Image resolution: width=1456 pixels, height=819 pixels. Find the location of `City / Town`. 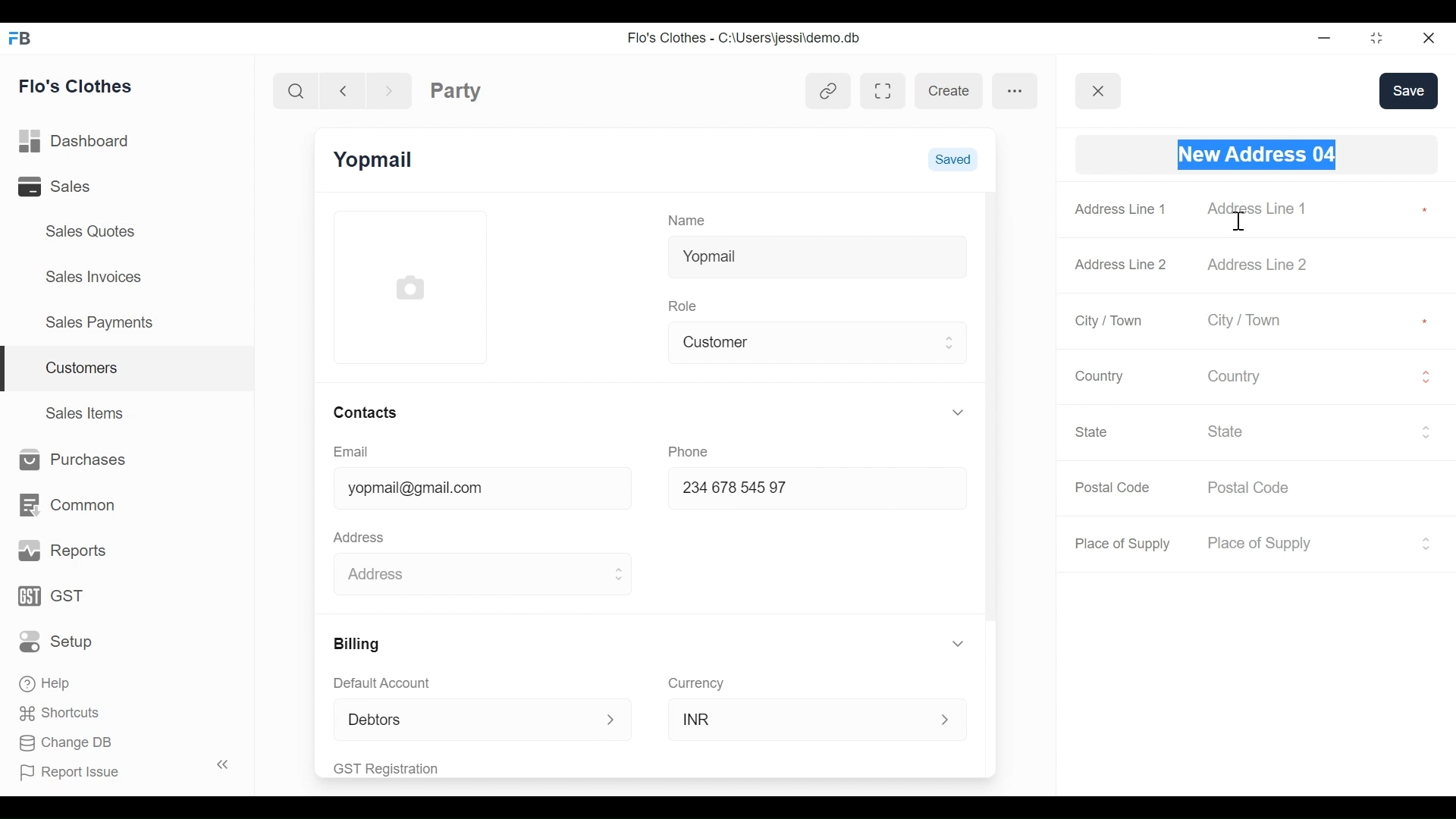

City / Town is located at coordinates (1265, 322).